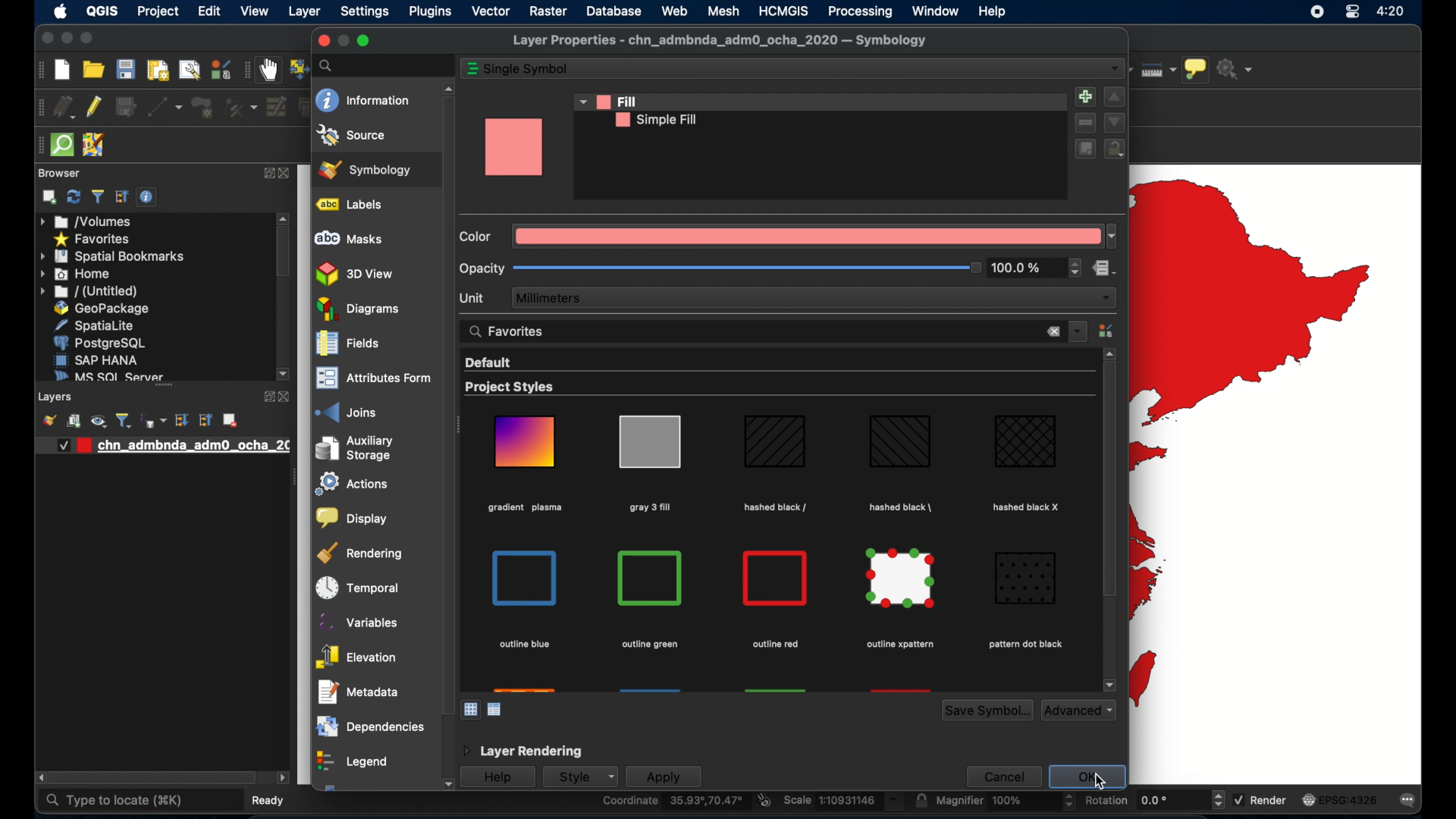  I want to click on layers, so click(57, 397).